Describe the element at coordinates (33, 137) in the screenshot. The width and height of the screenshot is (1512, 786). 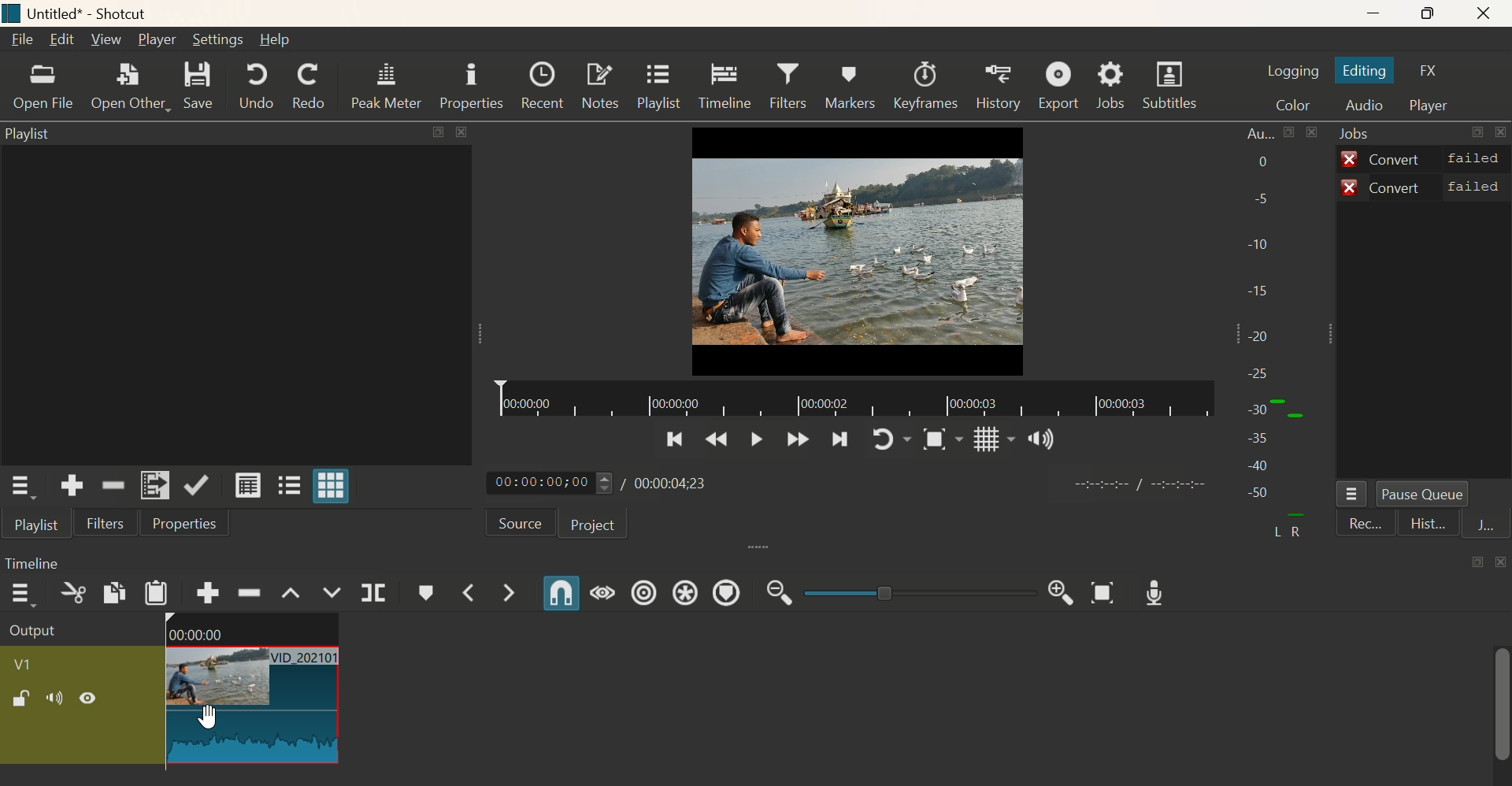
I see `Playlist` at that location.